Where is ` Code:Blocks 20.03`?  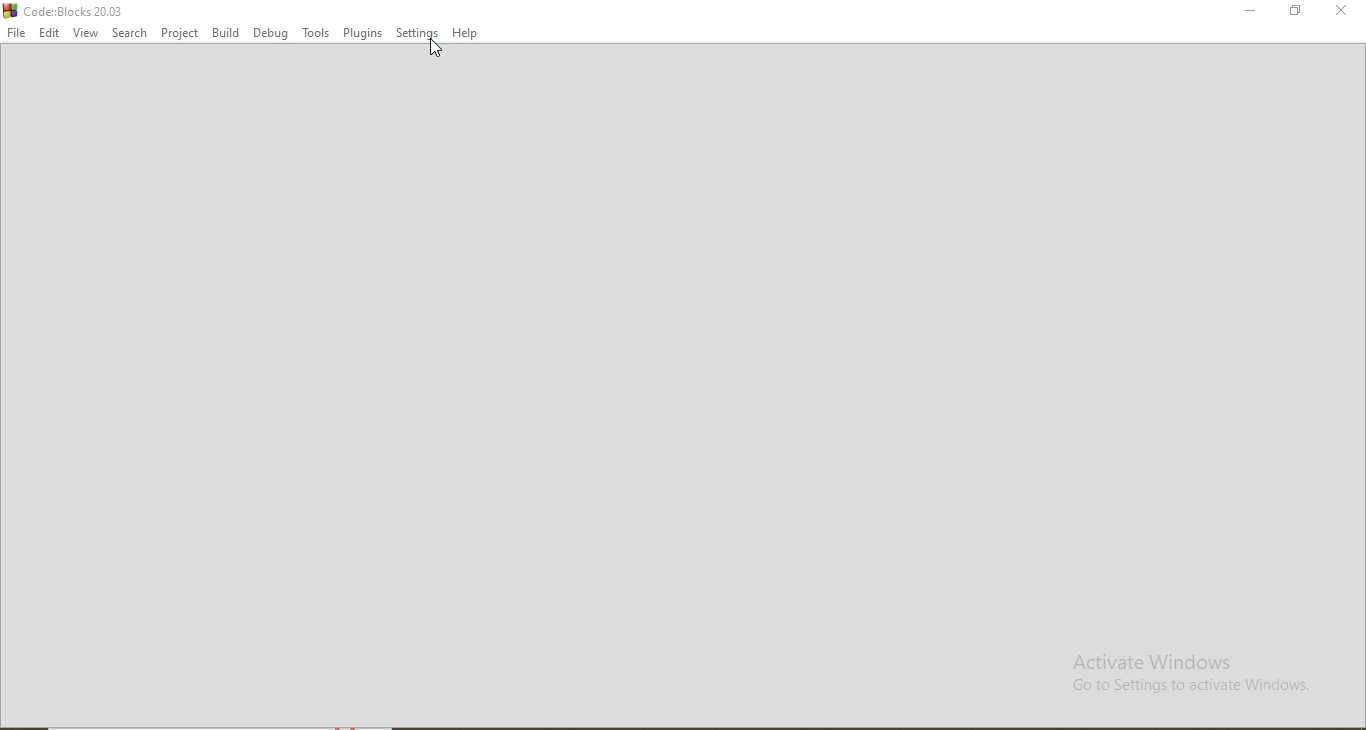  Code:Blocks 20.03 is located at coordinates (72, 9).